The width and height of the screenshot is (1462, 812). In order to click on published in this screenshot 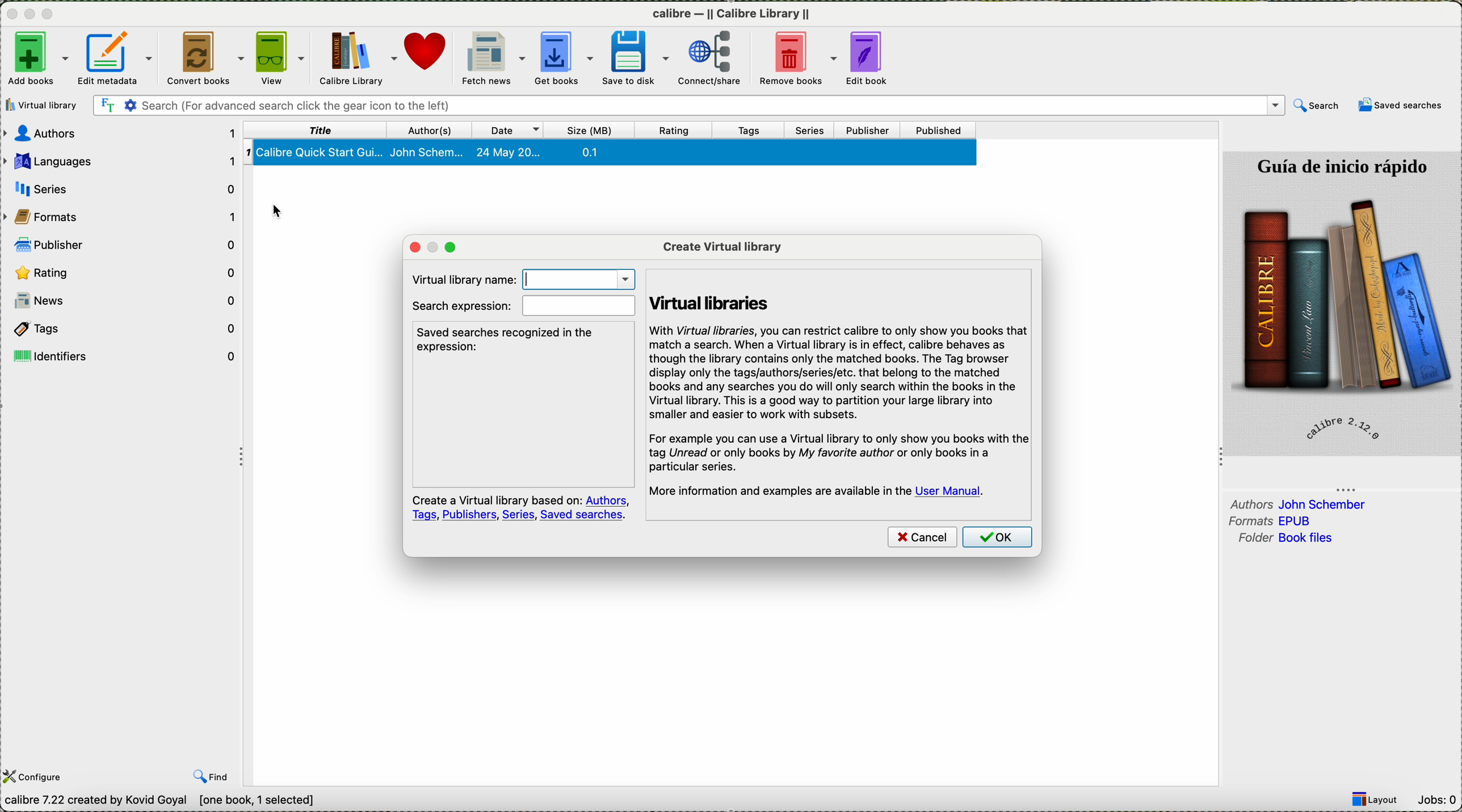, I will do `click(943, 130)`.